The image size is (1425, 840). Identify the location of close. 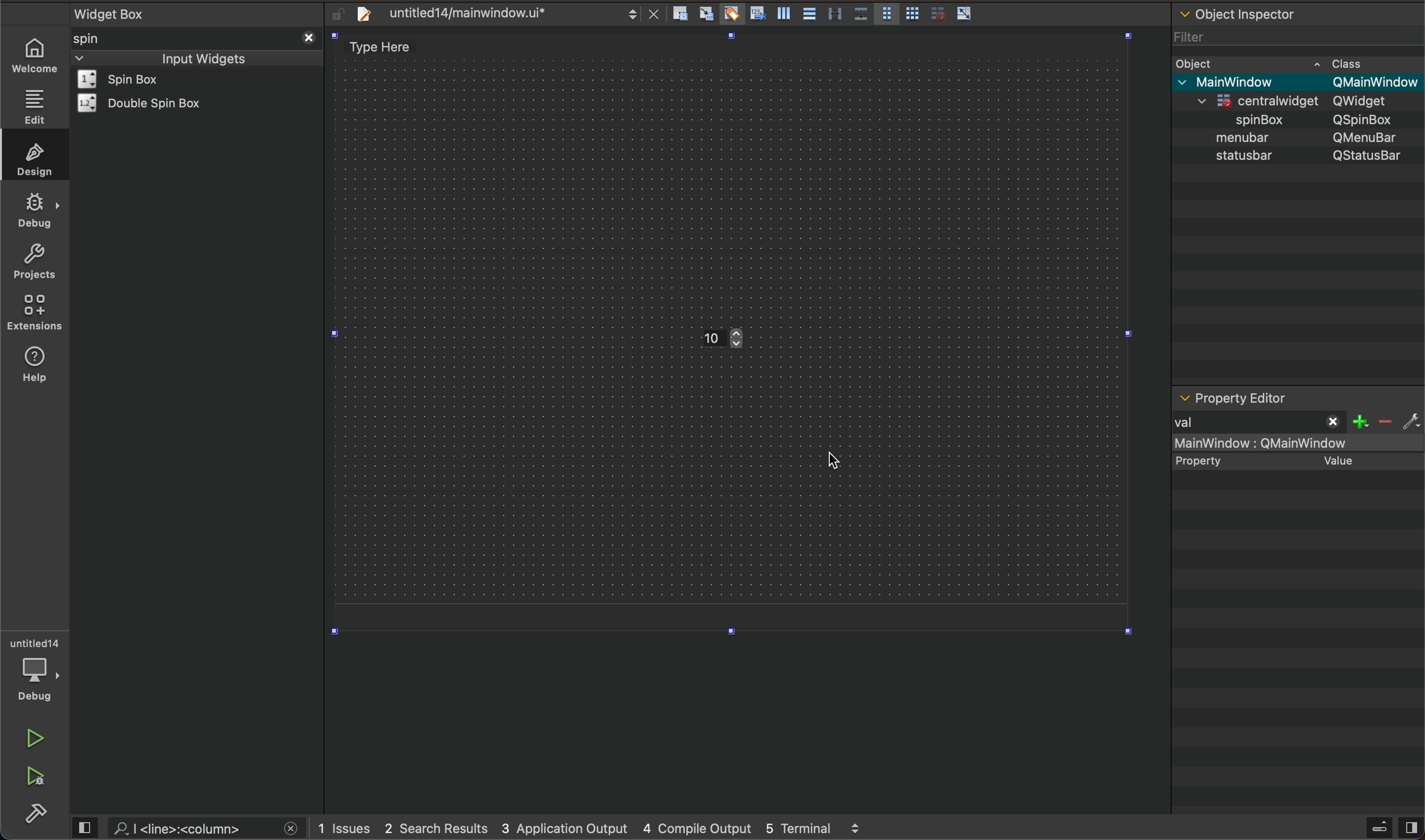
(307, 36).